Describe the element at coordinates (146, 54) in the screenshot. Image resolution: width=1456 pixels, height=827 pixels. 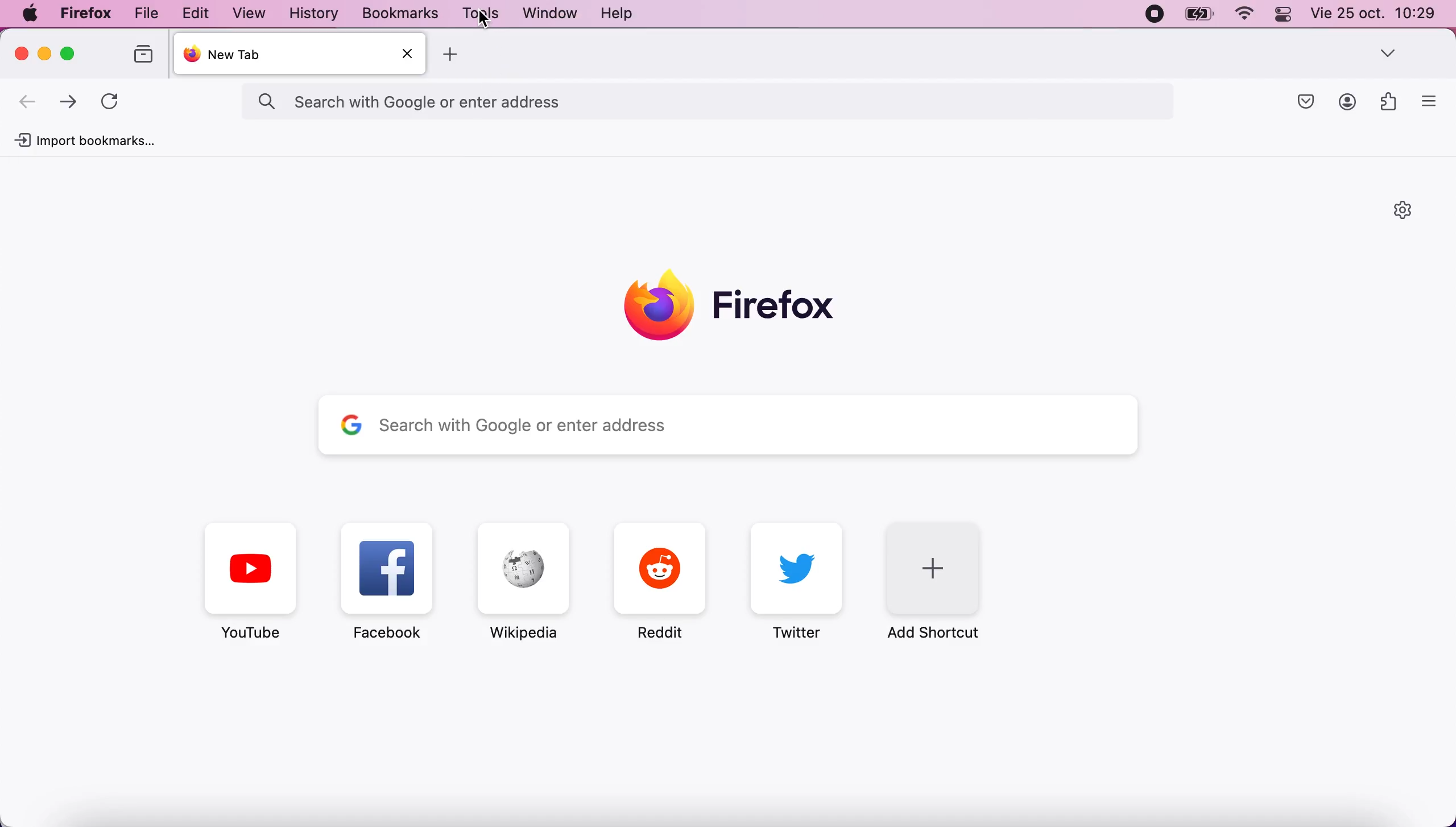
I see `Folders` at that location.